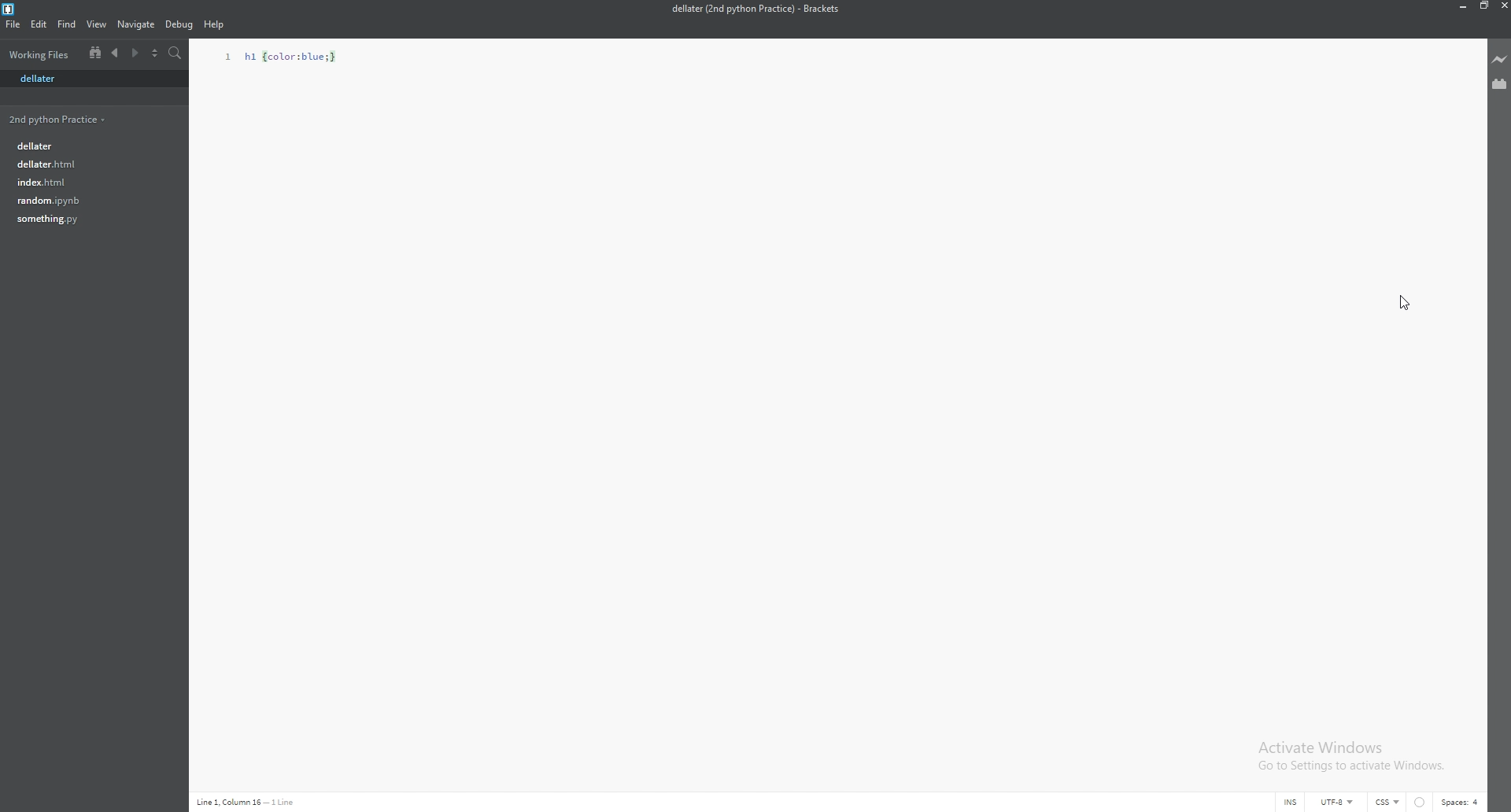  Describe the element at coordinates (116, 54) in the screenshot. I see `previous` at that location.